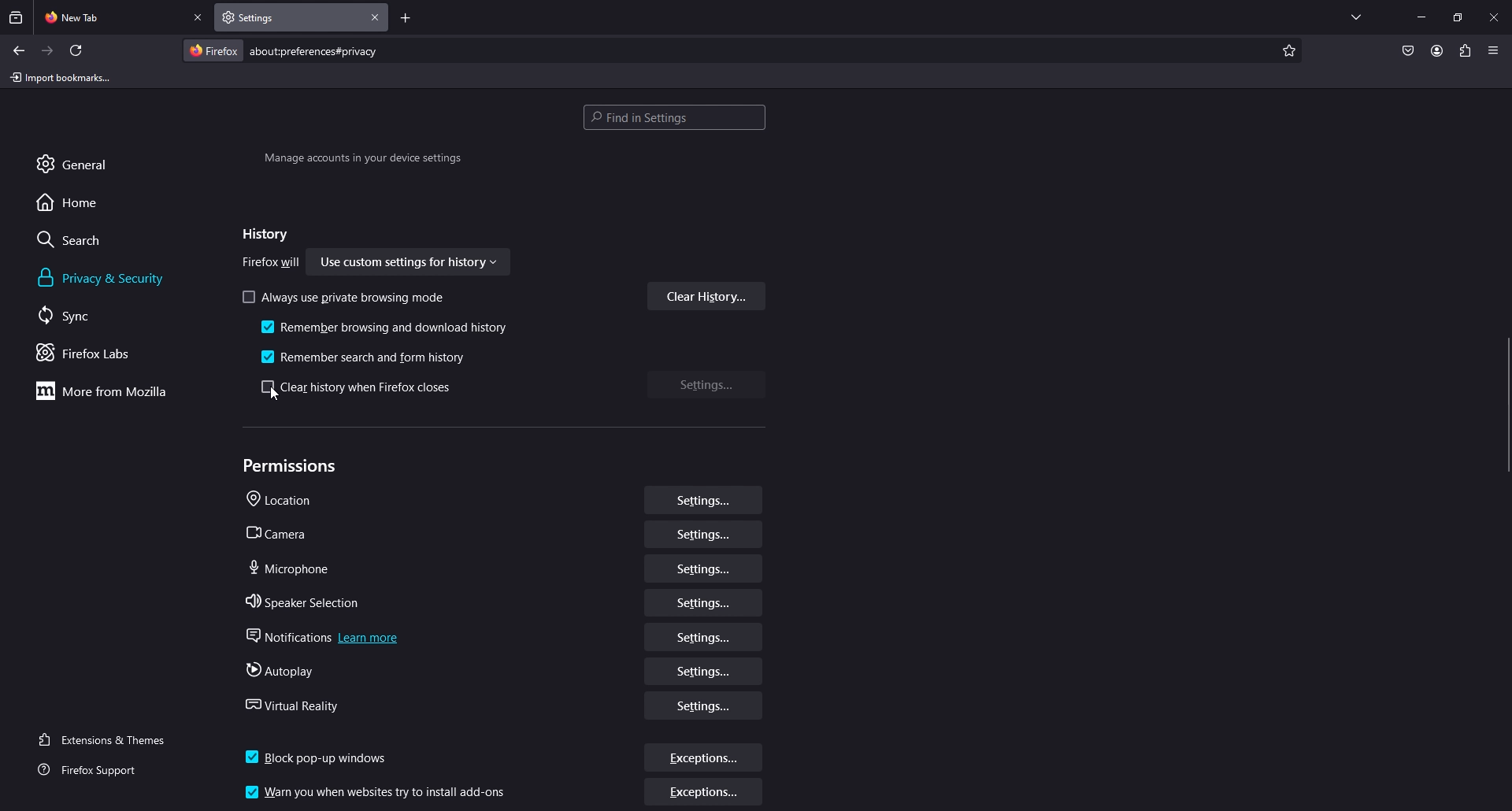 Image resolution: width=1512 pixels, height=811 pixels. What do you see at coordinates (705, 794) in the screenshot?
I see `exceptions` at bounding box center [705, 794].